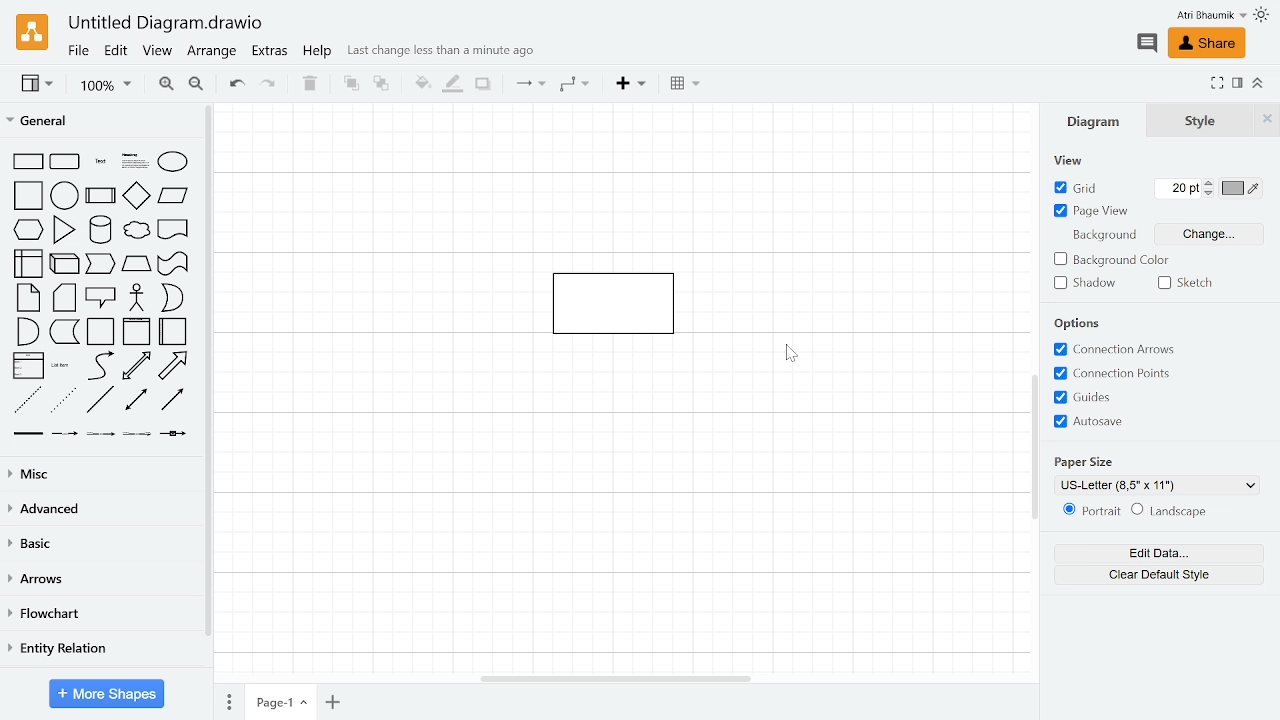 This screenshot has height=720, width=1280. What do you see at coordinates (630, 84) in the screenshot?
I see `Insert` at bounding box center [630, 84].